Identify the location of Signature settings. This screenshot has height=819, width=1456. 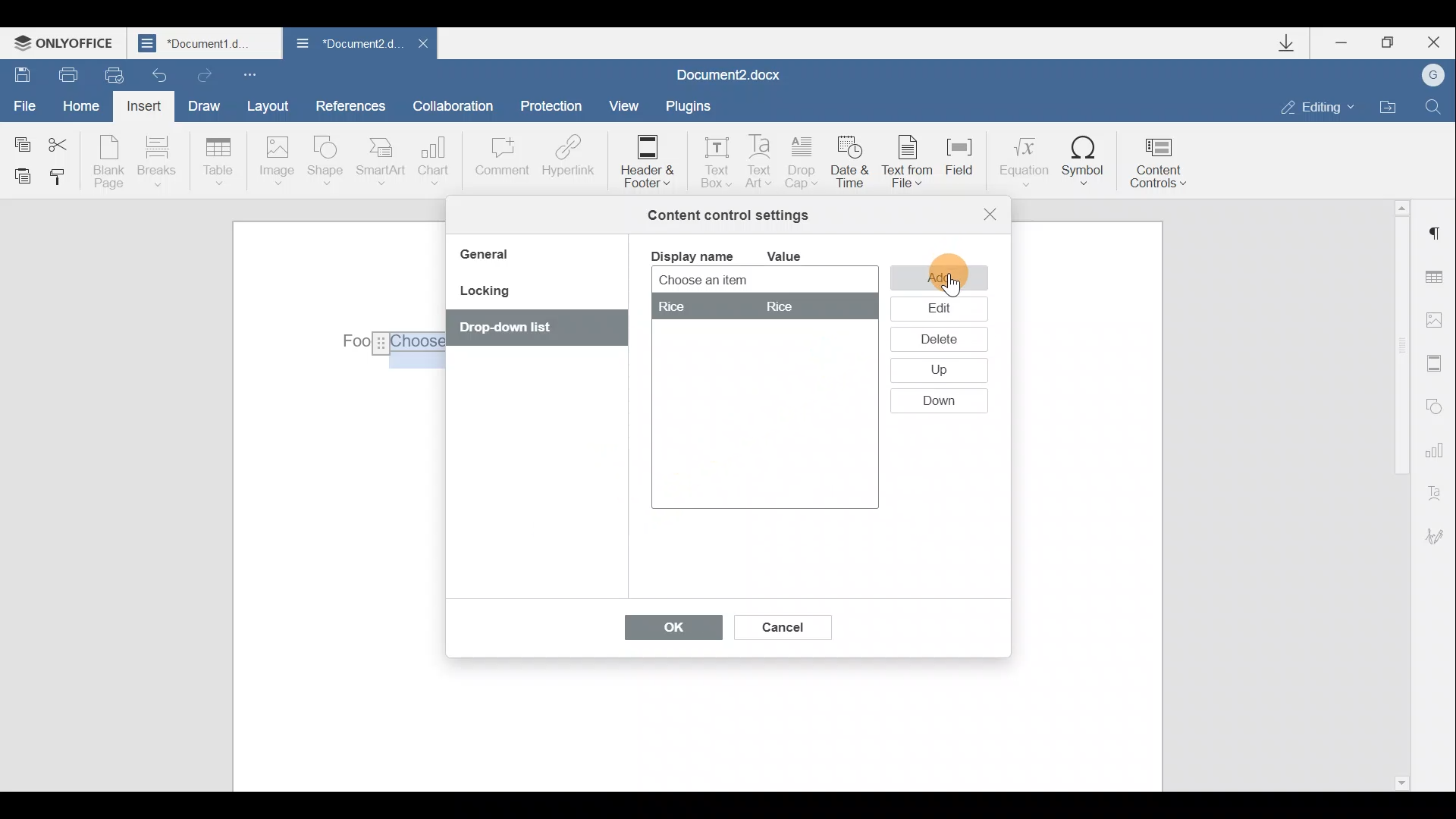
(1441, 536).